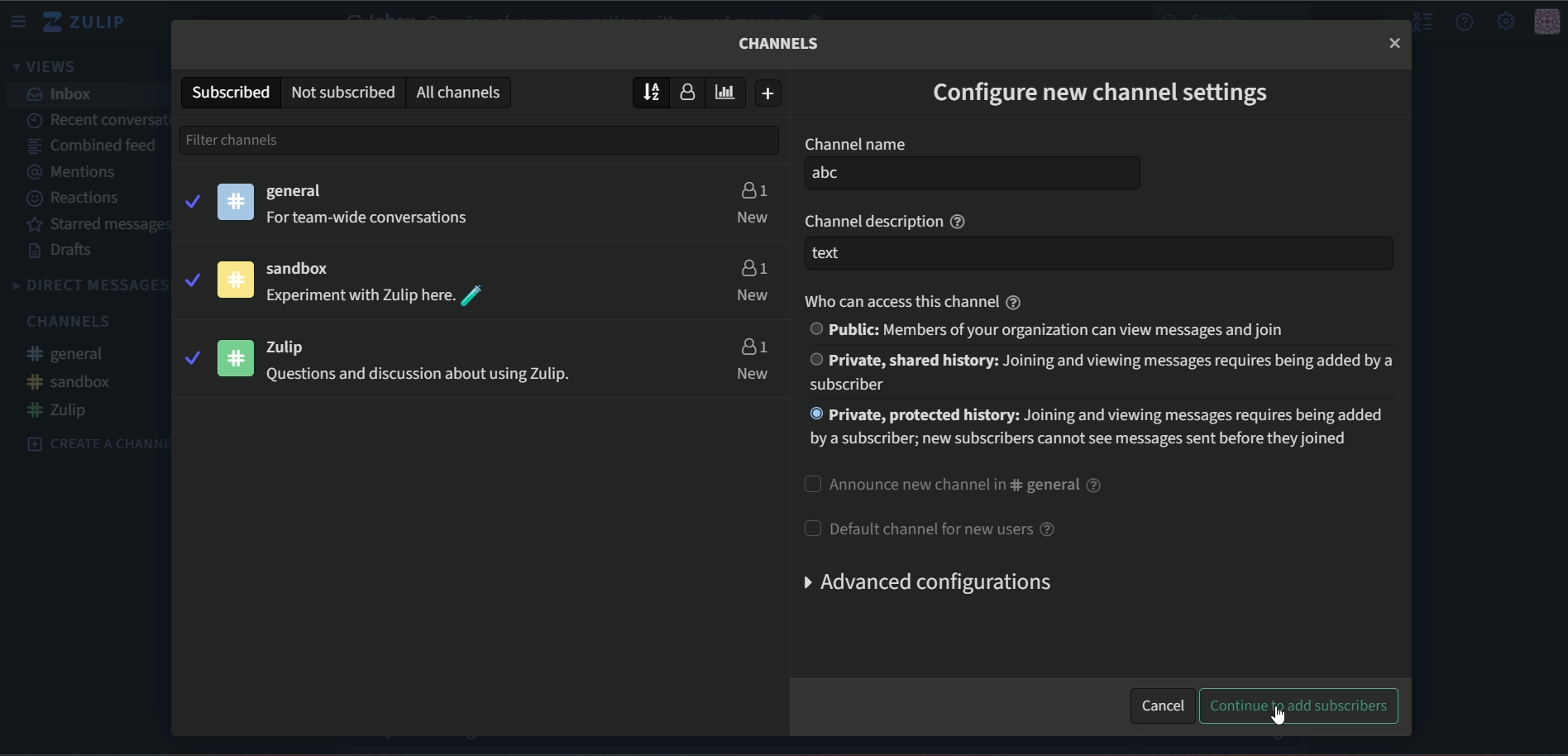 Image resolution: width=1568 pixels, height=756 pixels. I want to click on sort, so click(652, 91).